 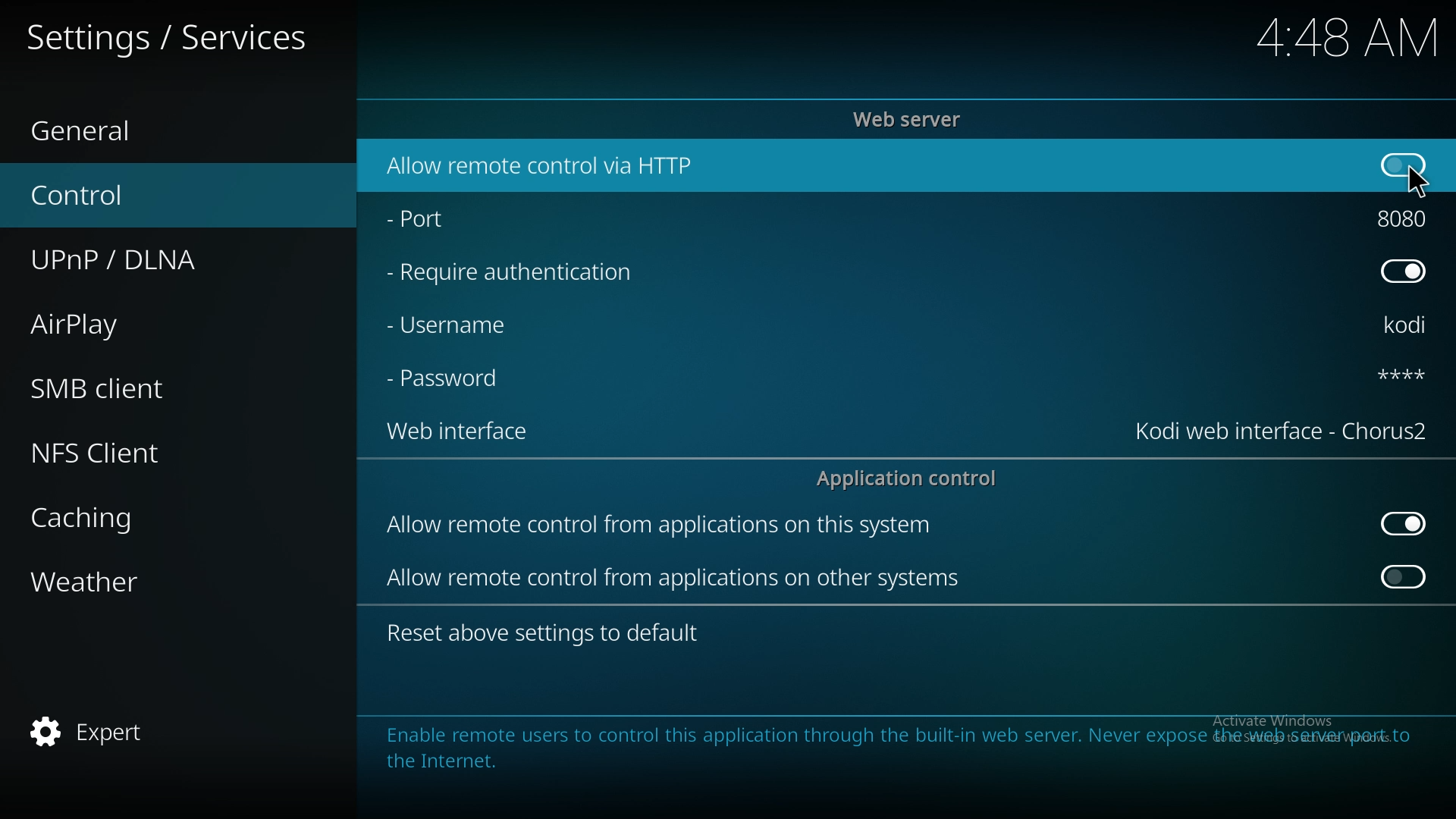 I want to click on port, so click(x=452, y=222).